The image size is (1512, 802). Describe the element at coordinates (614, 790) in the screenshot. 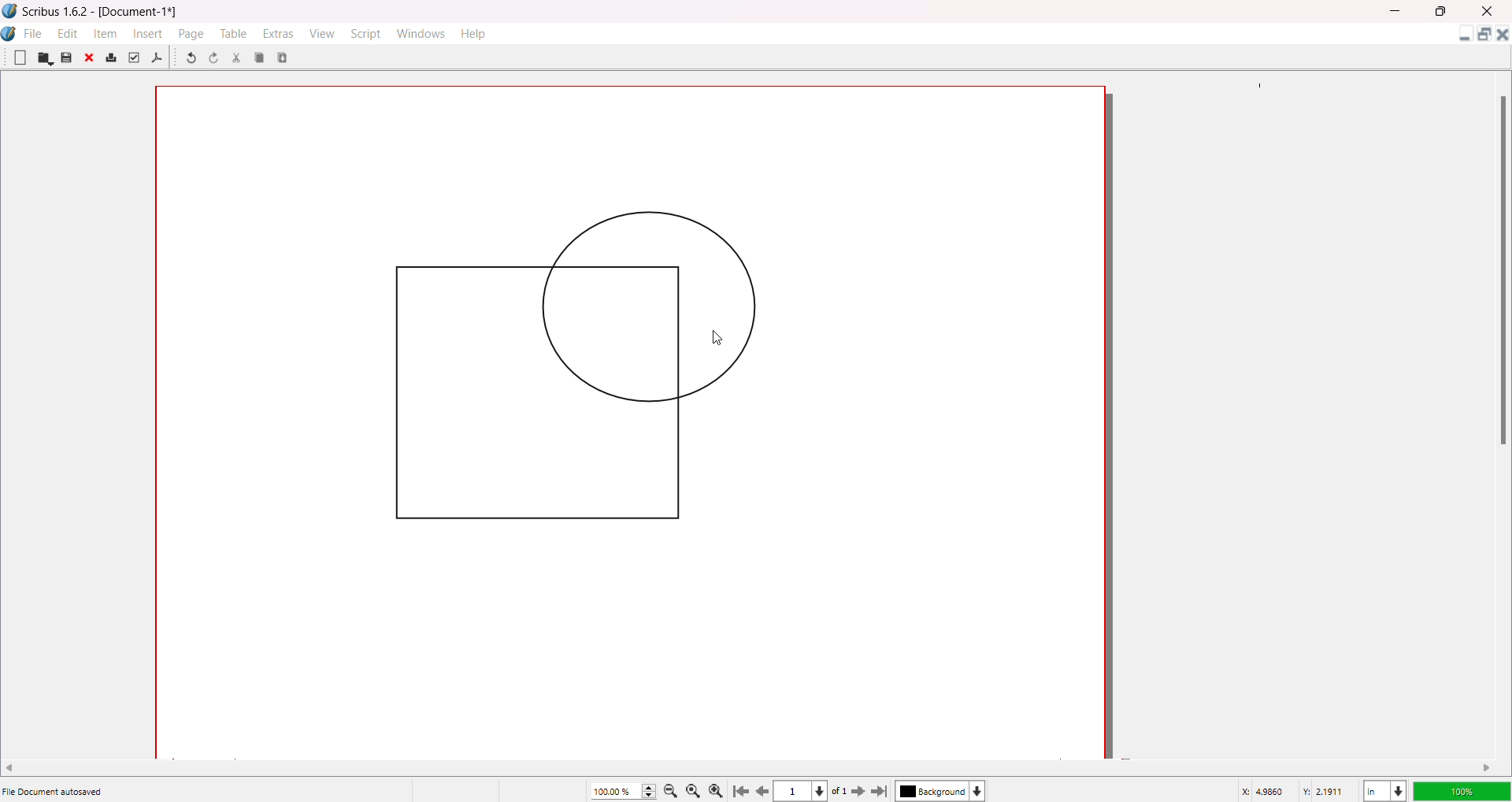

I see `Zoom percentage` at that location.